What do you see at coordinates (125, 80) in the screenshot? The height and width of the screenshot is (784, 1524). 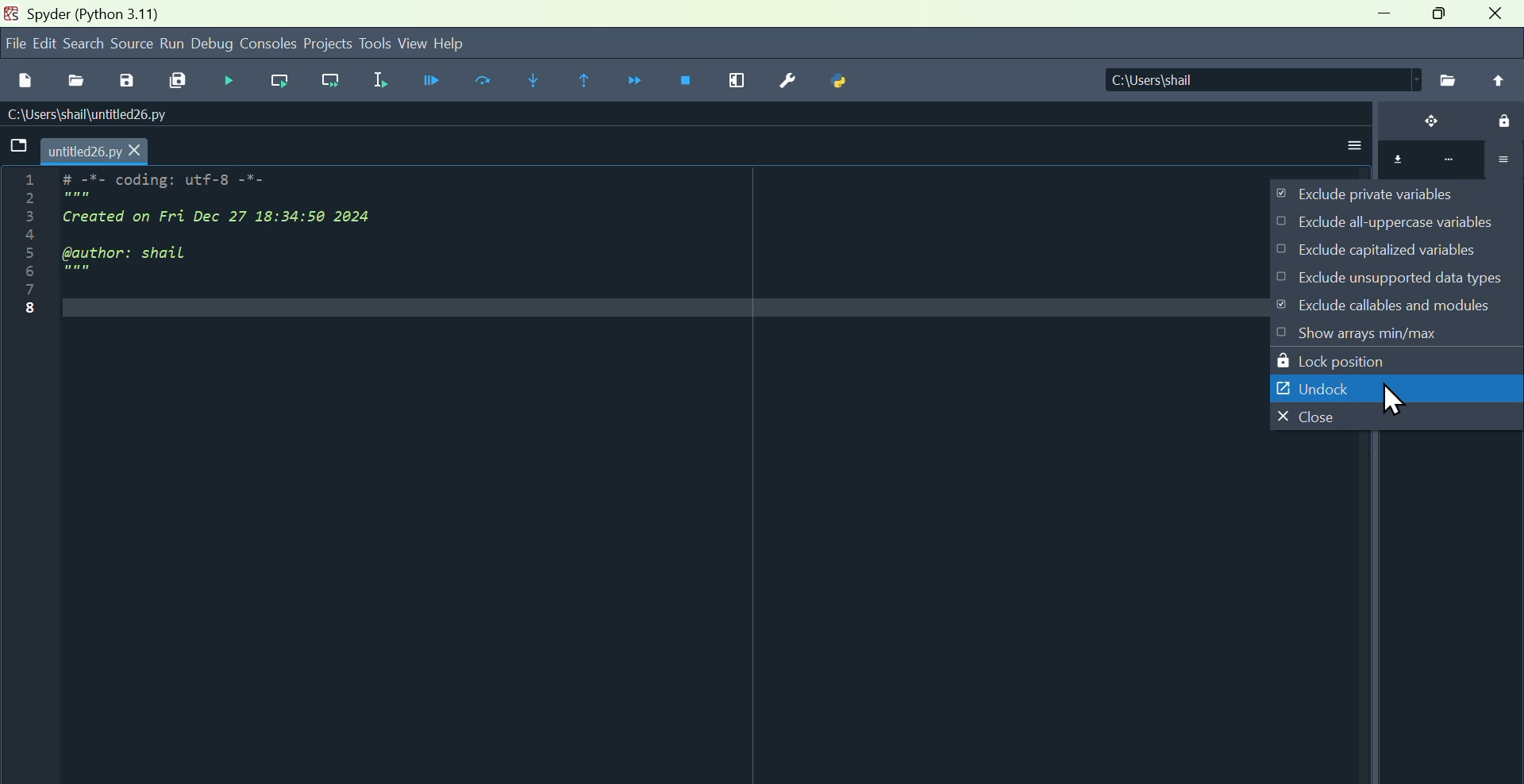 I see `Save as` at bounding box center [125, 80].